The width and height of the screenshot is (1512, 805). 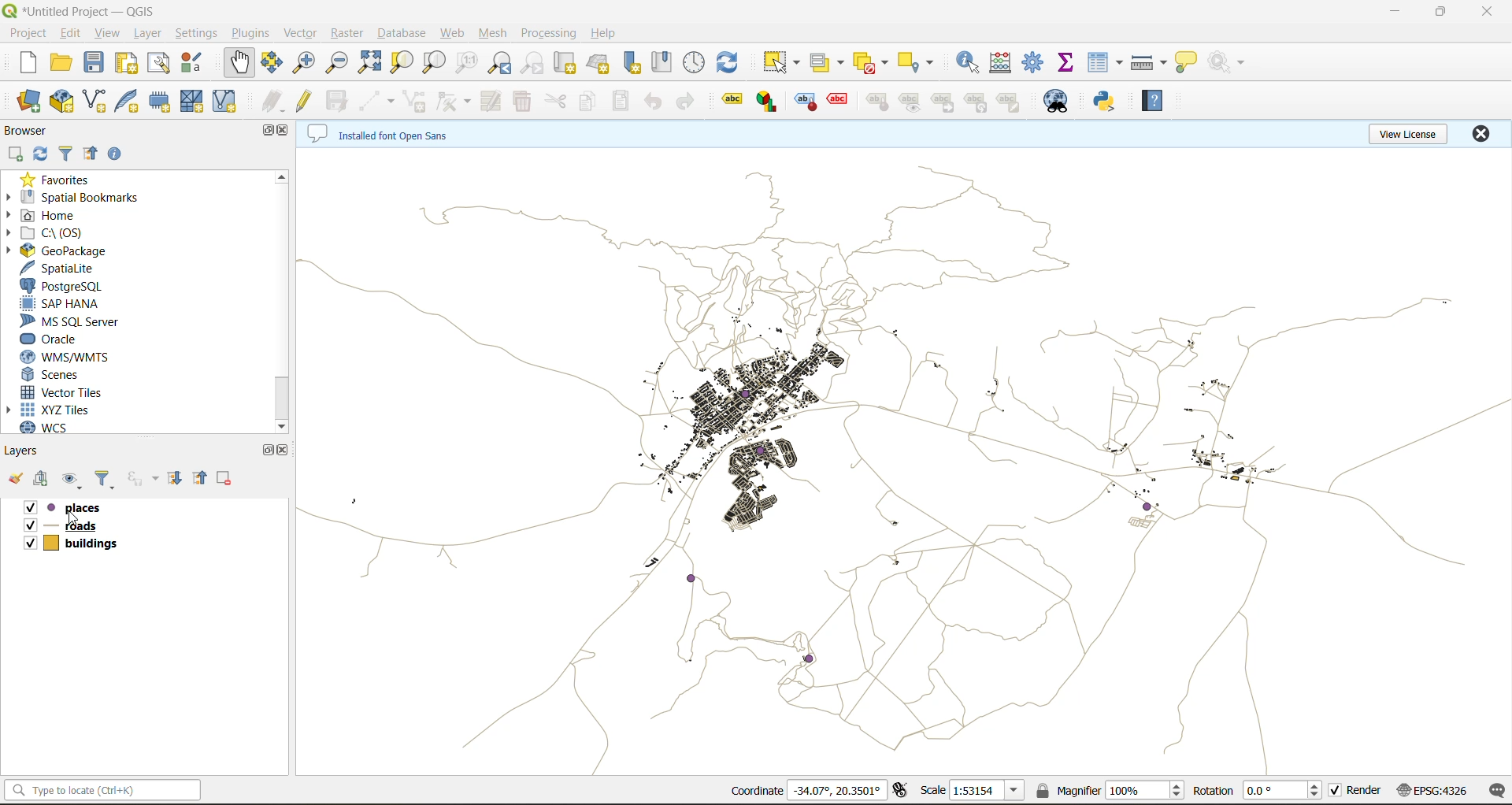 I want to click on layer labeling, so click(x=730, y=102).